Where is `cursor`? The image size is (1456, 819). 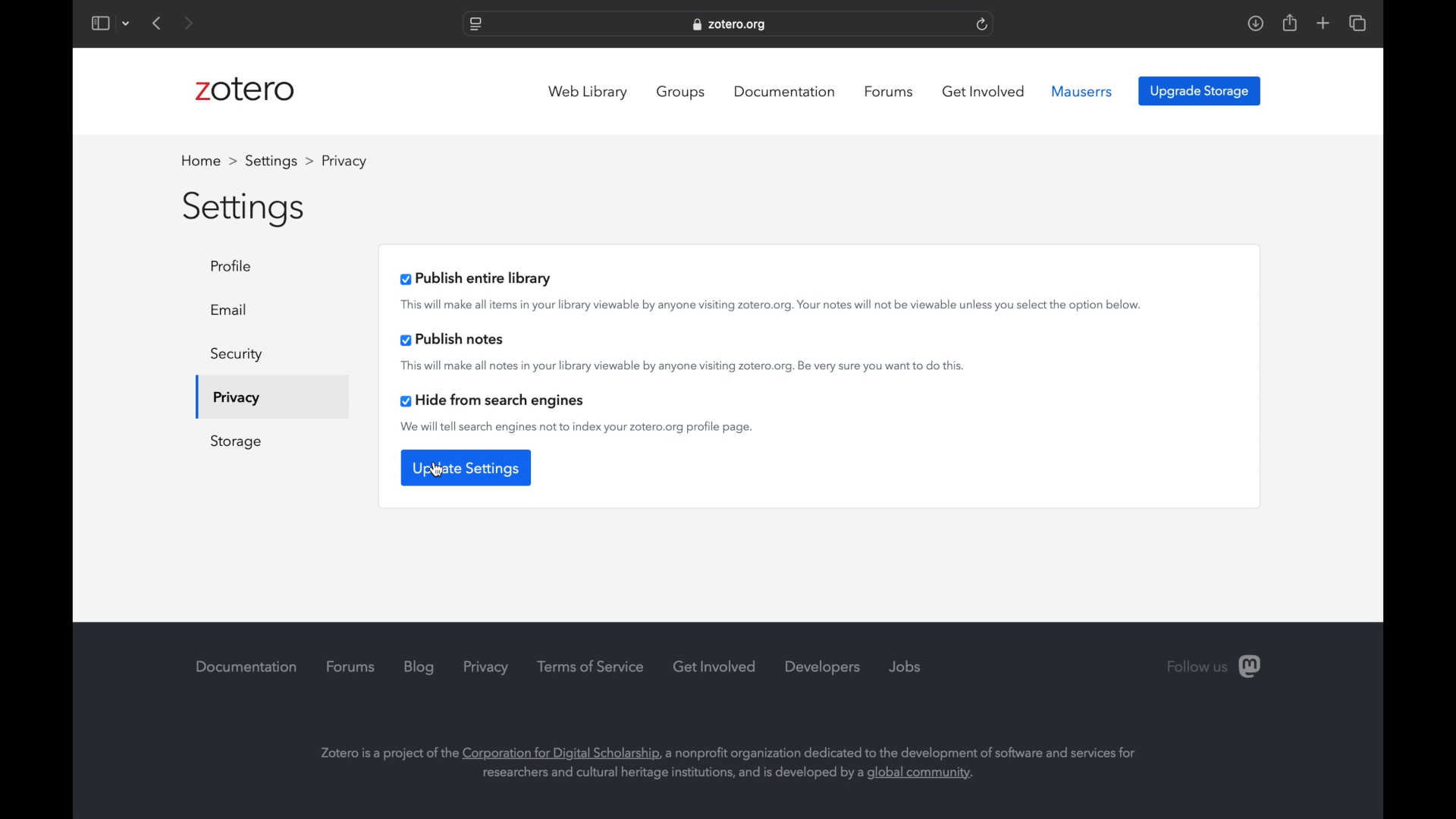 cursor is located at coordinates (438, 469).